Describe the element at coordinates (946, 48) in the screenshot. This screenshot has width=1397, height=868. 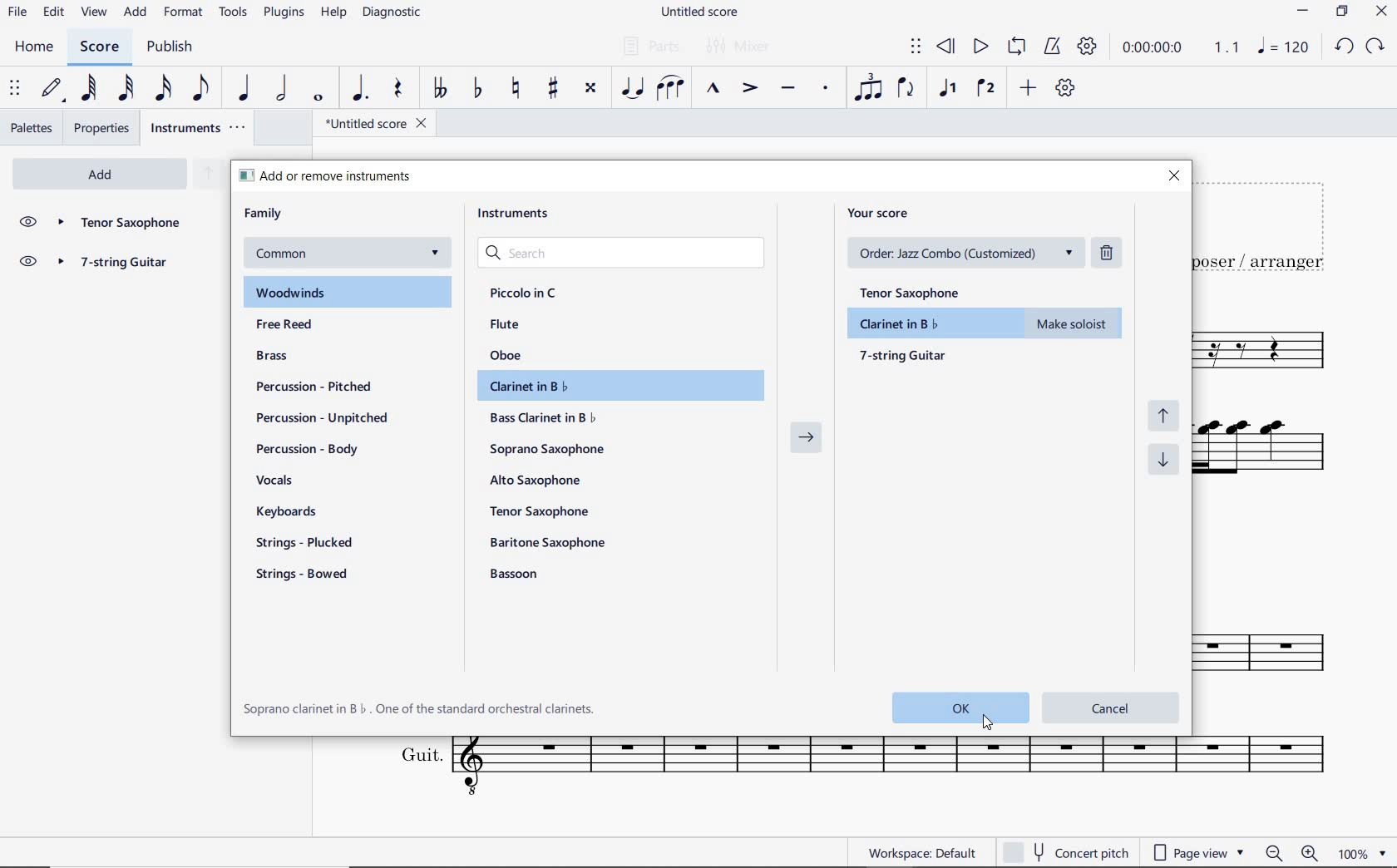
I see `REWIND` at that location.